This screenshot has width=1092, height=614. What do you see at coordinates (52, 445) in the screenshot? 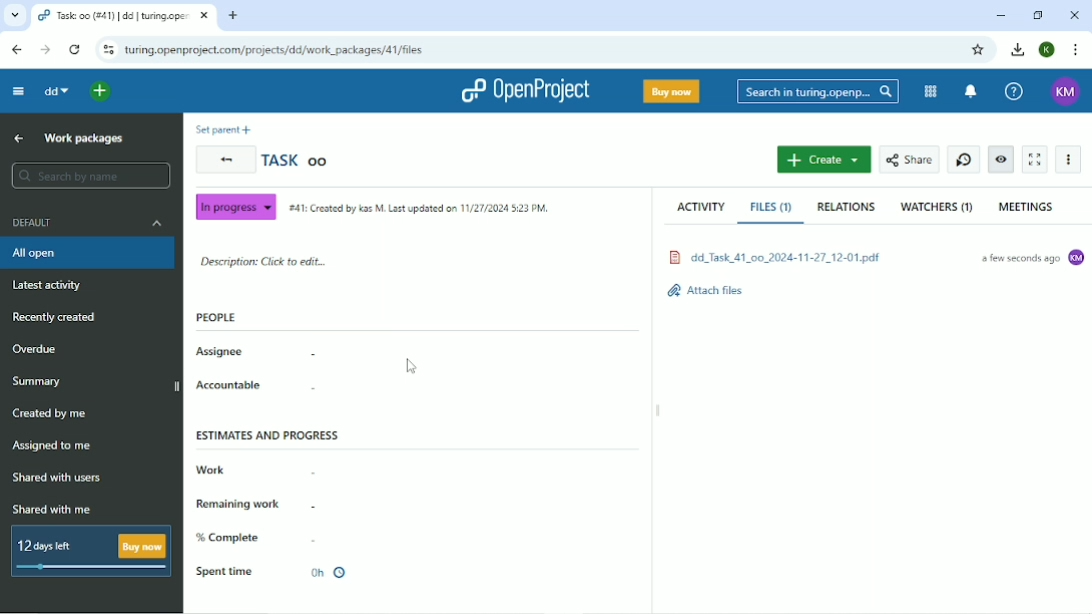
I see `Assigned to me` at bounding box center [52, 445].